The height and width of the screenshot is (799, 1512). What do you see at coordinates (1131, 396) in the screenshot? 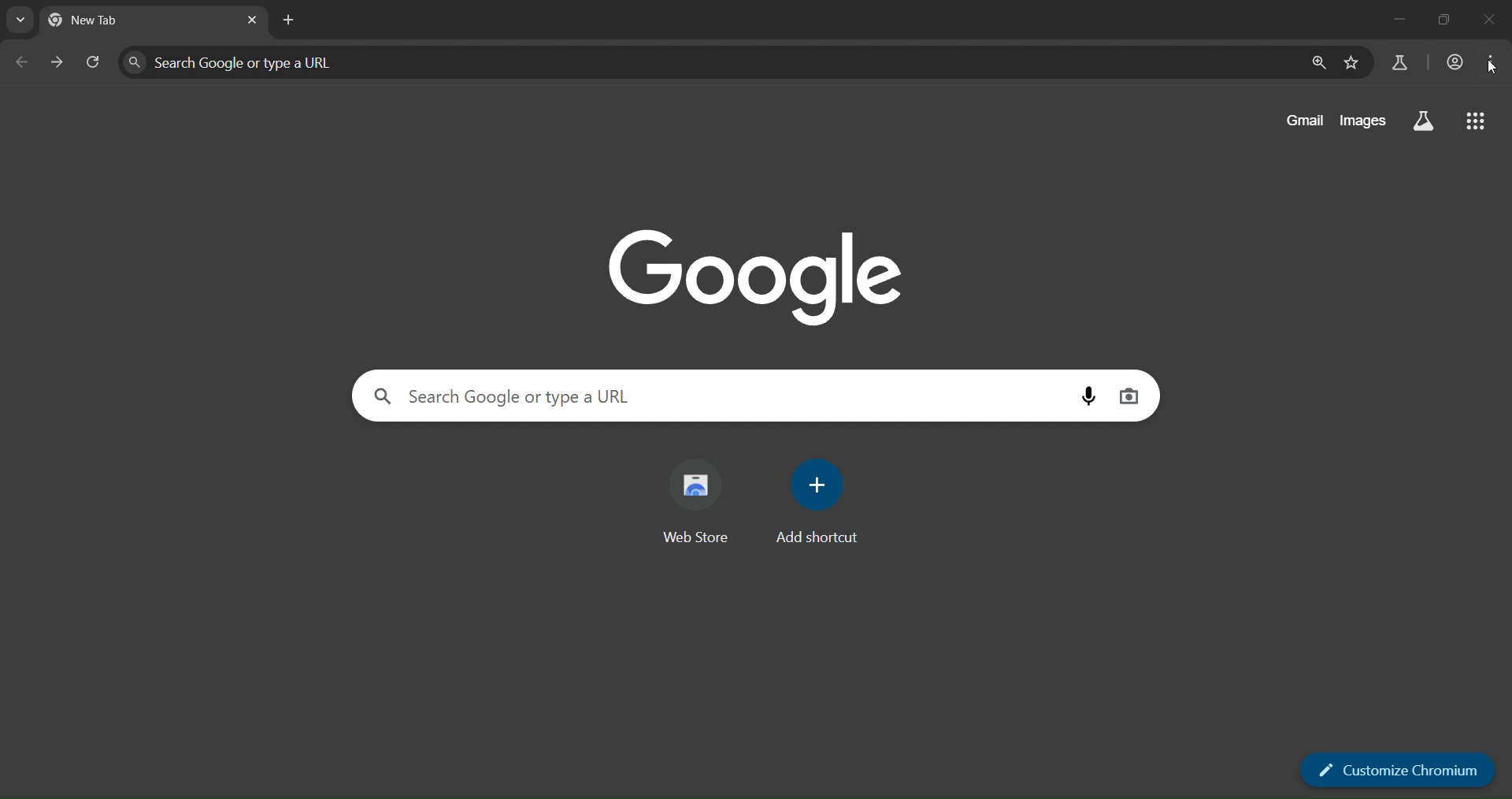
I see `image search` at bounding box center [1131, 396].